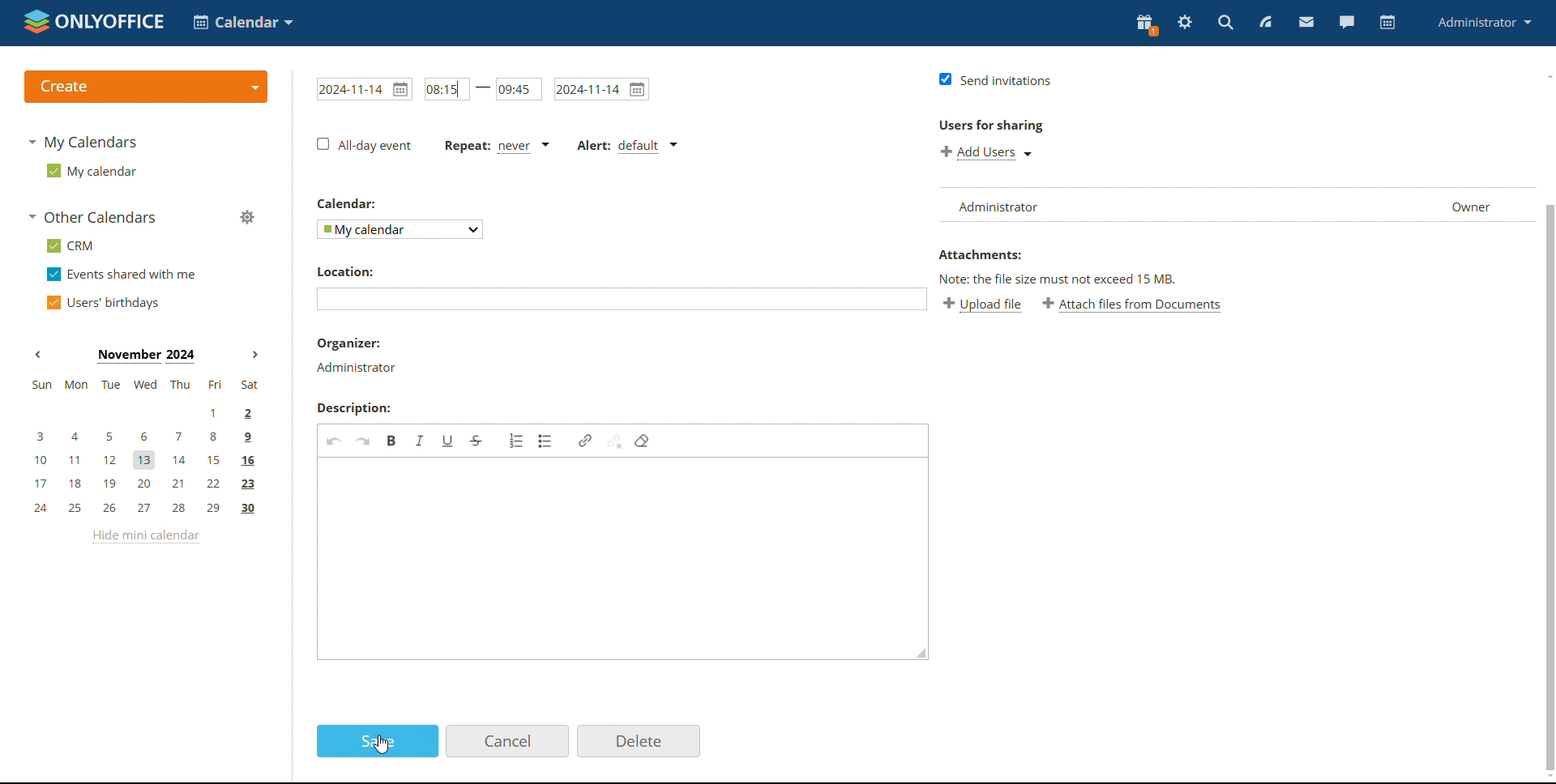 The height and width of the screenshot is (784, 1556). Describe the element at coordinates (139, 436) in the screenshot. I see `3, 4, 5, 6, 7, 8, 9` at that location.